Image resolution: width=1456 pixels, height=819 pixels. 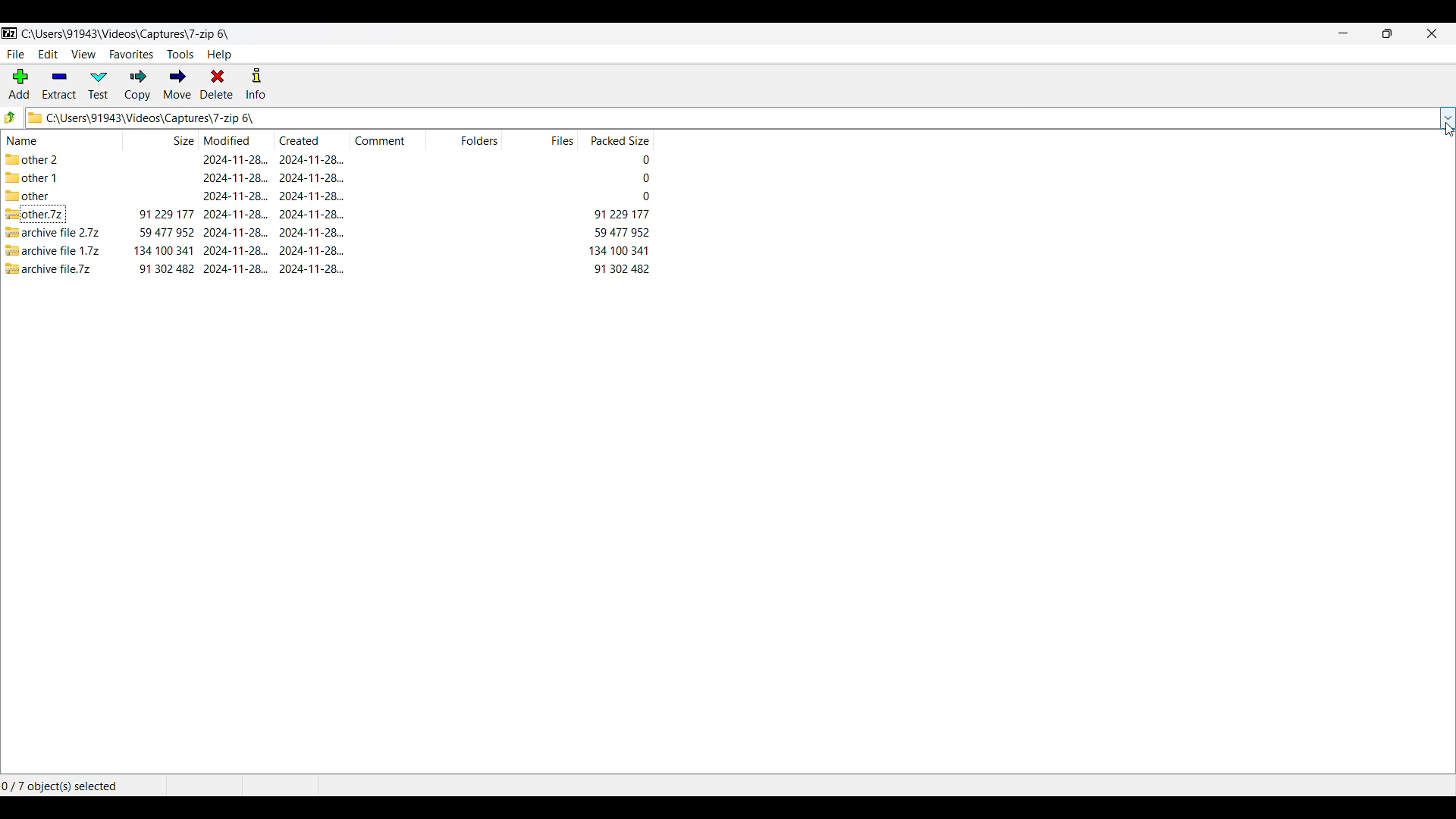 What do you see at coordinates (312, 196) in the screenshot?
I see `created date & time` at bounding box center [312, 196].